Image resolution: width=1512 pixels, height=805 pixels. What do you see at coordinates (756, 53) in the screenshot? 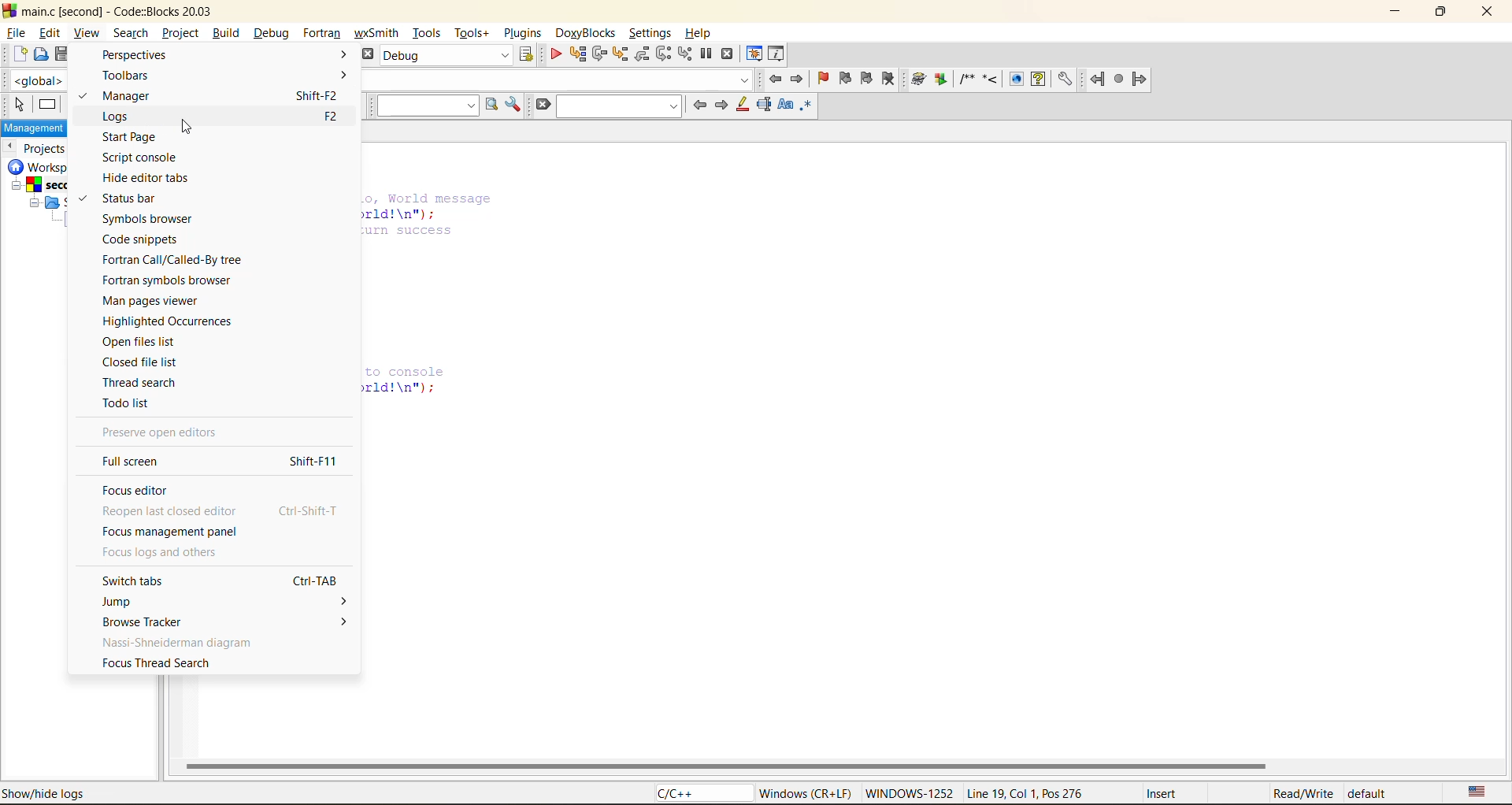
I see `debugging windows` at bounding box center [756, 53].